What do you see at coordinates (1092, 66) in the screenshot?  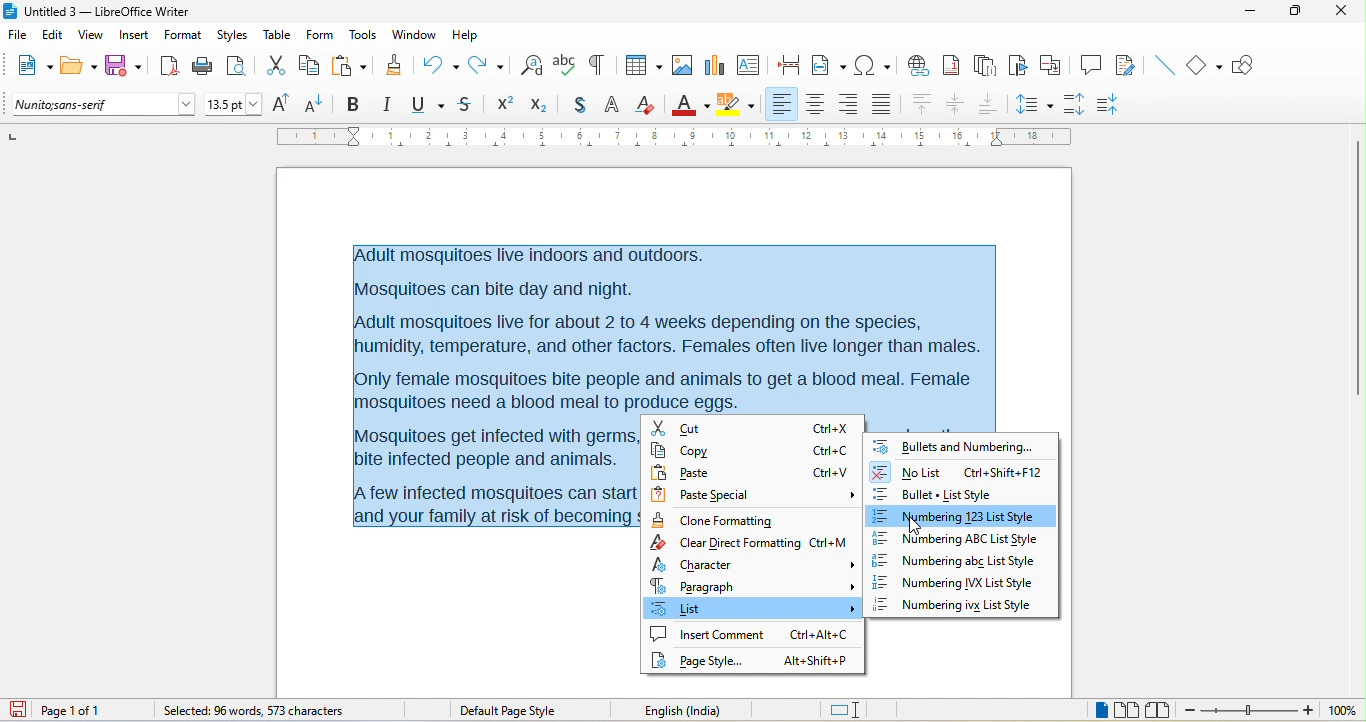 I see `comment` at bounding box center [1092, 66].